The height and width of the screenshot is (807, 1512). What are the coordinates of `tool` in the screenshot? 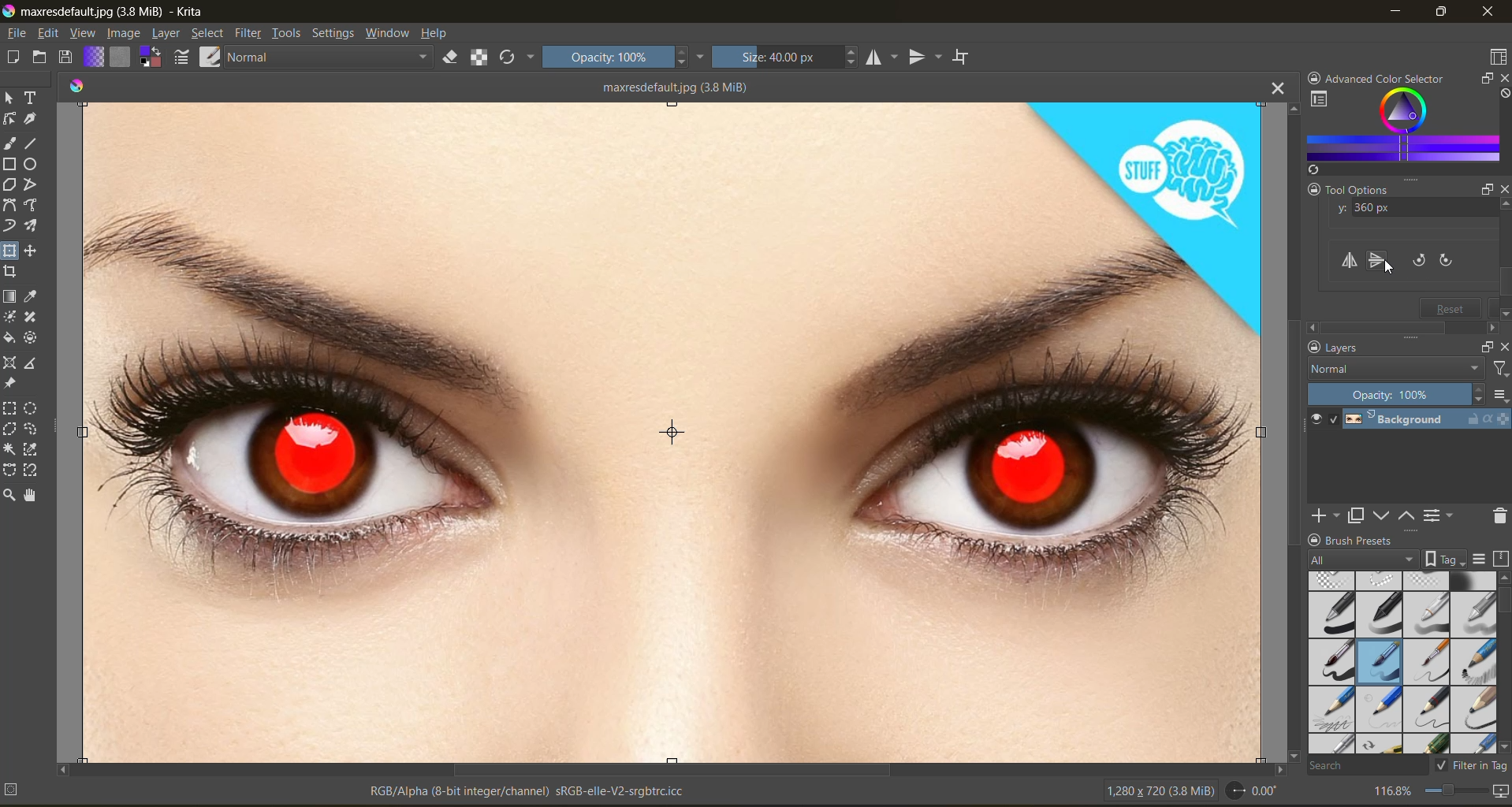 It's located at (35, 184).